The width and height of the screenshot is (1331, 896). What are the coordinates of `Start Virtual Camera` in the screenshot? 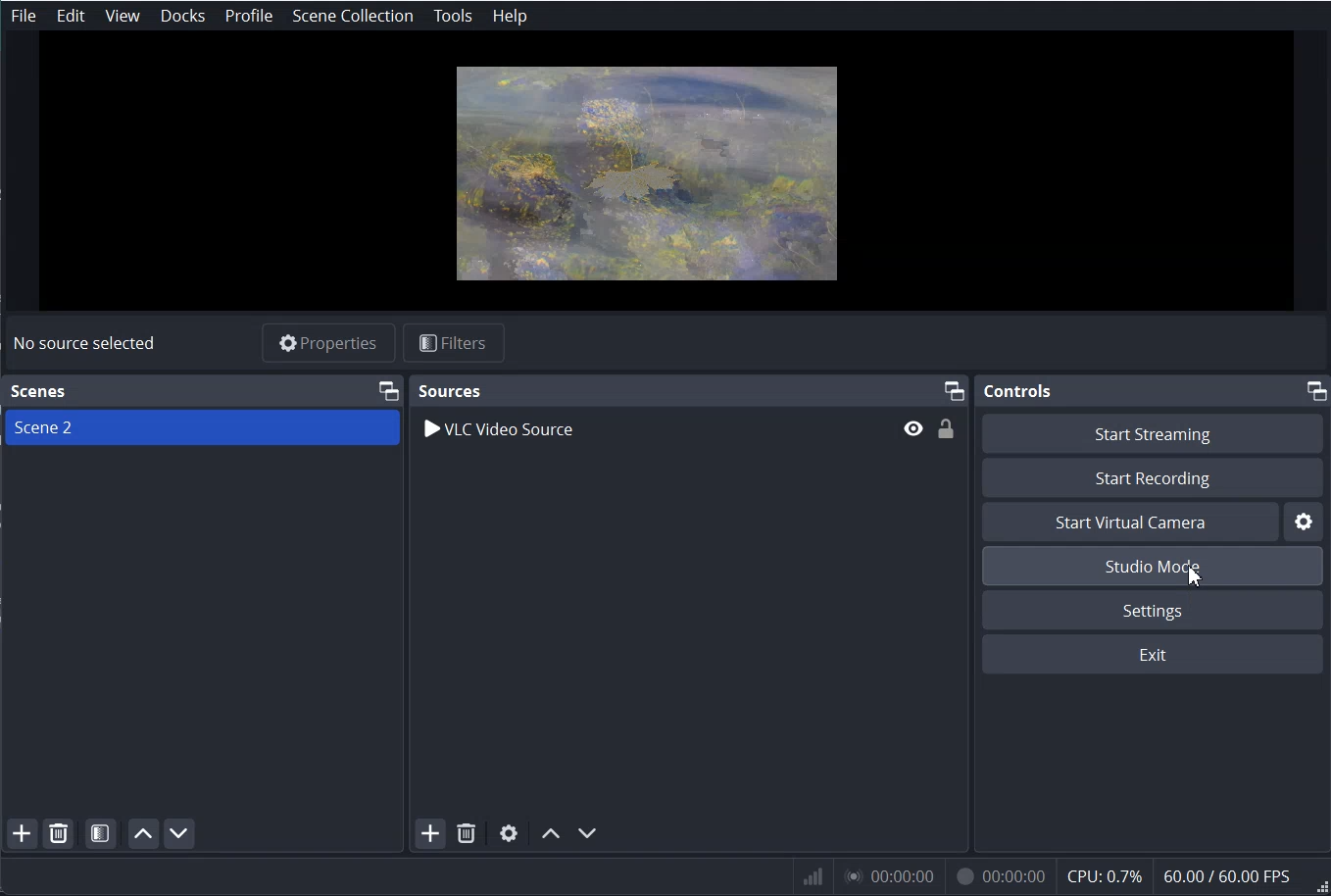 It's located at (1129, 522).